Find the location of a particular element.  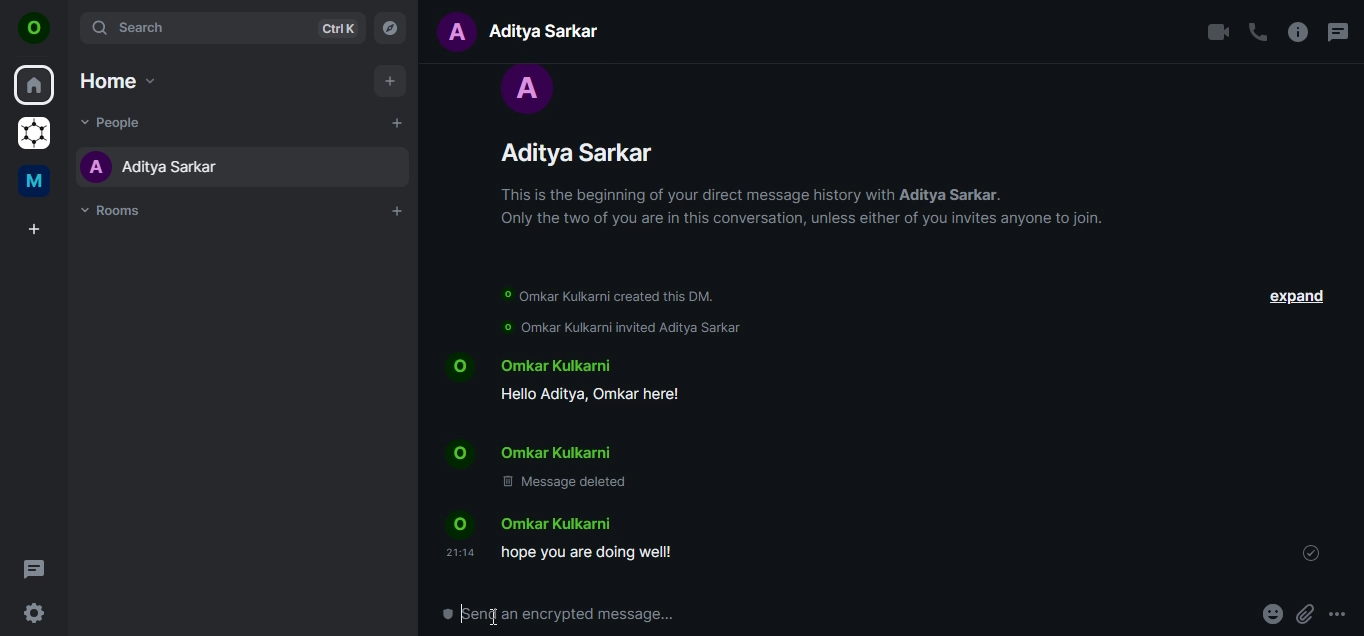

text cursor is located at coordinates (494, 616).